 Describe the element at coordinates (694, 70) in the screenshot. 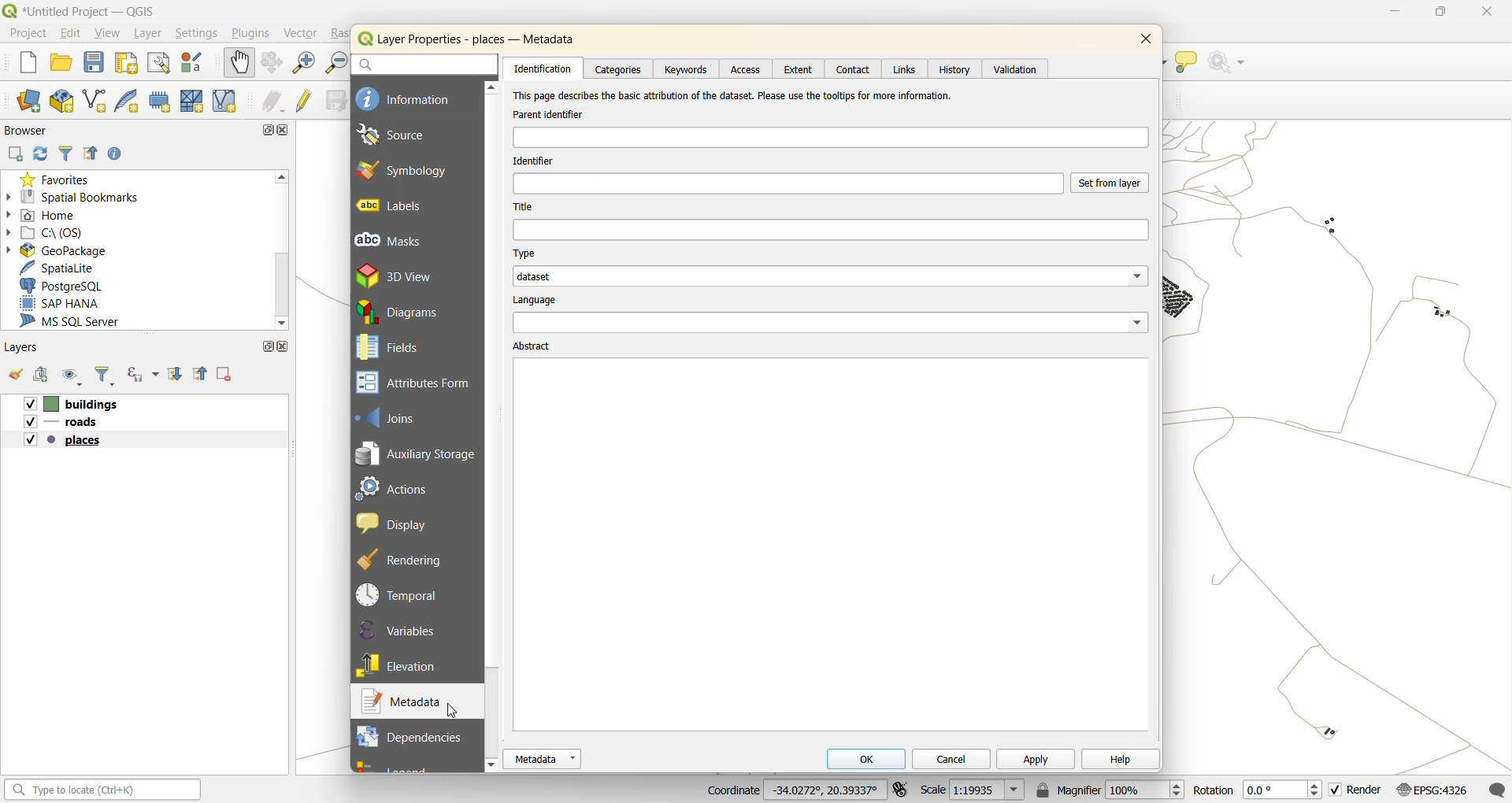

I see `keywords` at that location.